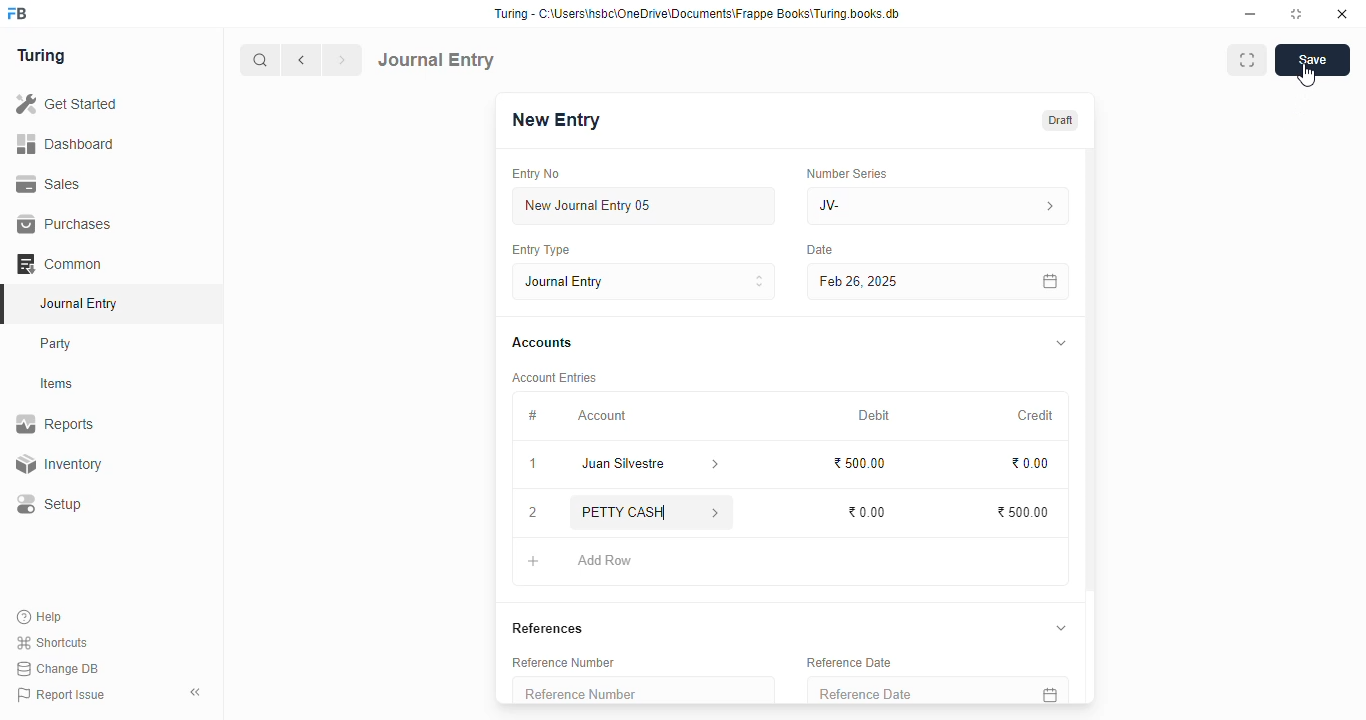 This screenshot has width=1366, height=720. I want to click on shortcuts, so click(52, 643).